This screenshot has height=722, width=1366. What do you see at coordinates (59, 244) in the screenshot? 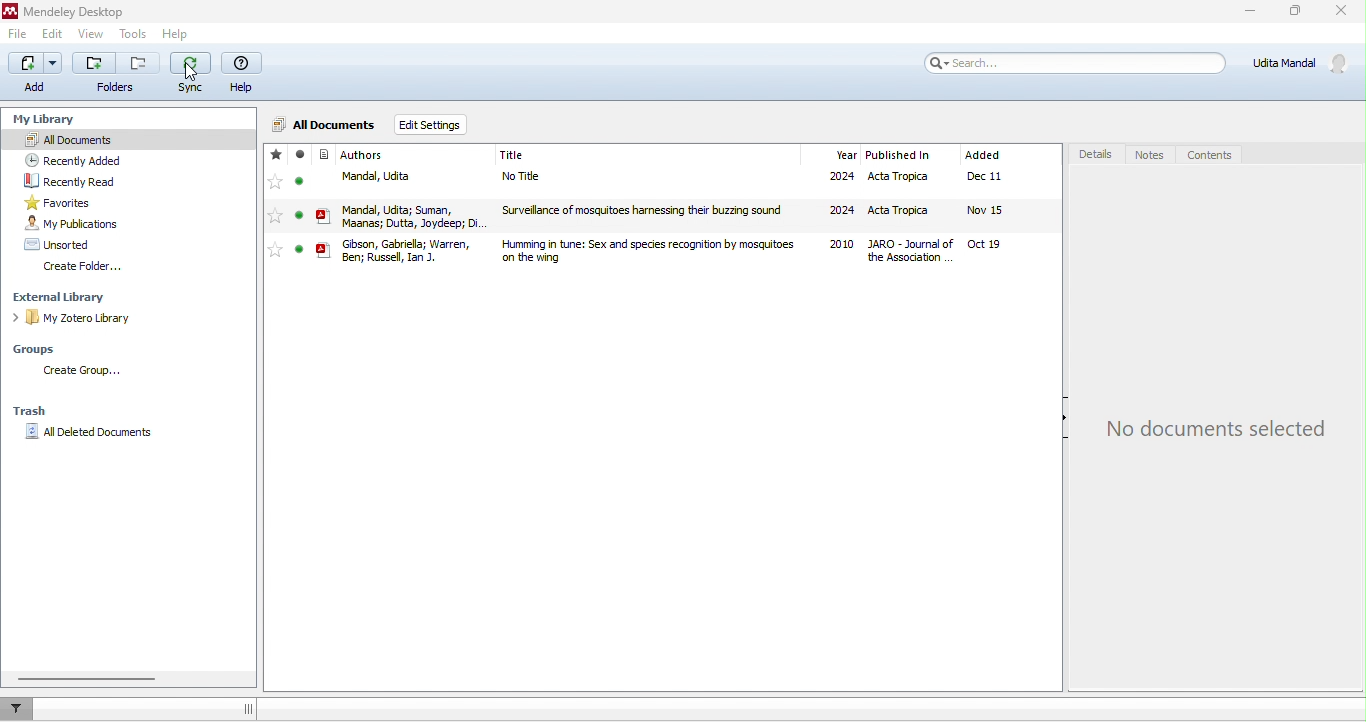
I see `unsorted` at bounding box center [59, 244].